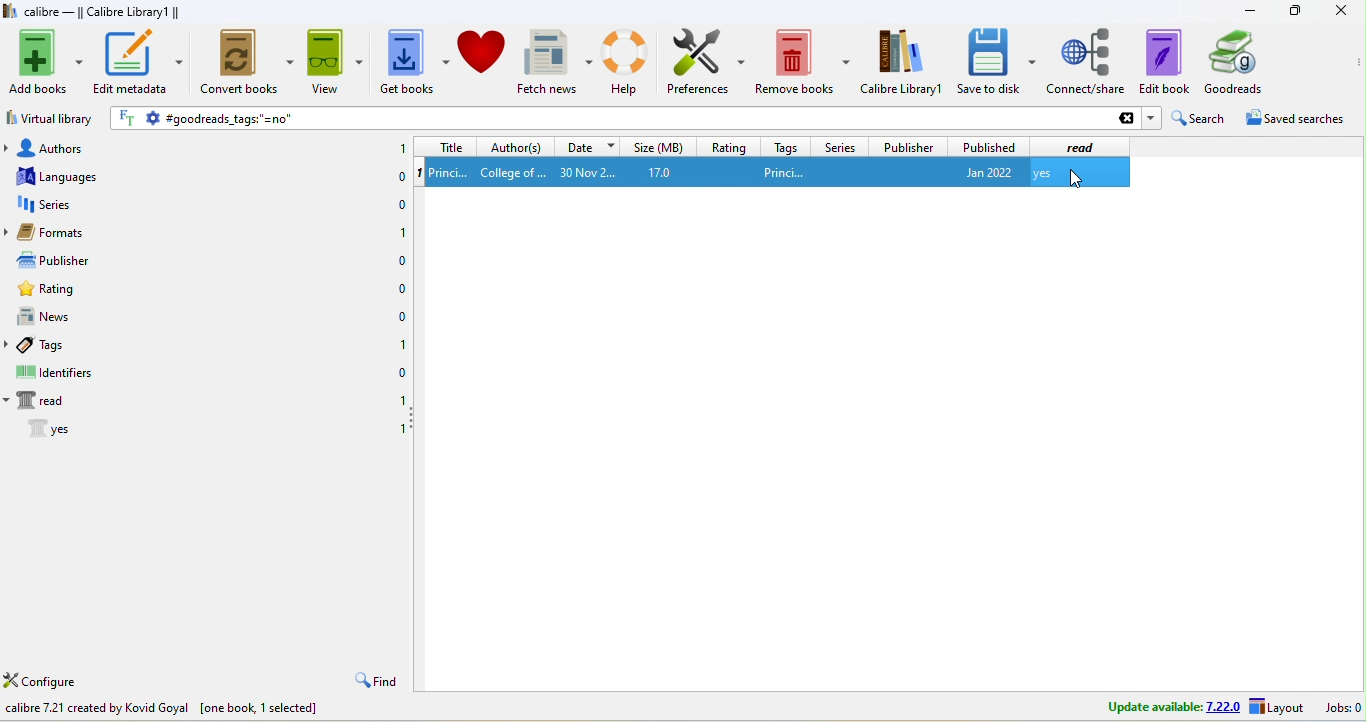  What do you see at coordinates (1292, 118) in the screenshot?
I see `saved searches` at bounding box center [1292, 118].